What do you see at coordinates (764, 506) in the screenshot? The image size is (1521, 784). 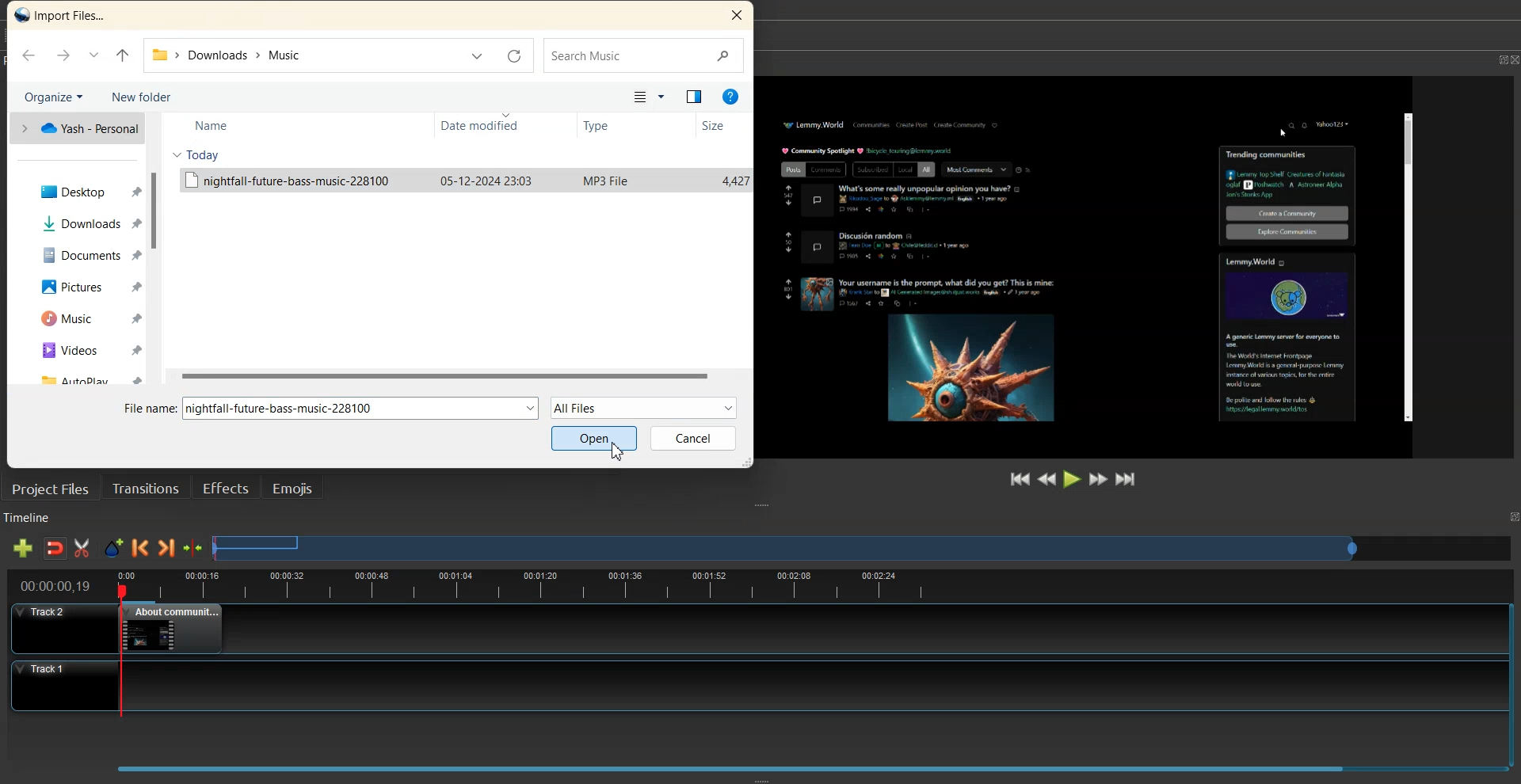 I see `Window Adjuster` at bounding box center [764, 506].